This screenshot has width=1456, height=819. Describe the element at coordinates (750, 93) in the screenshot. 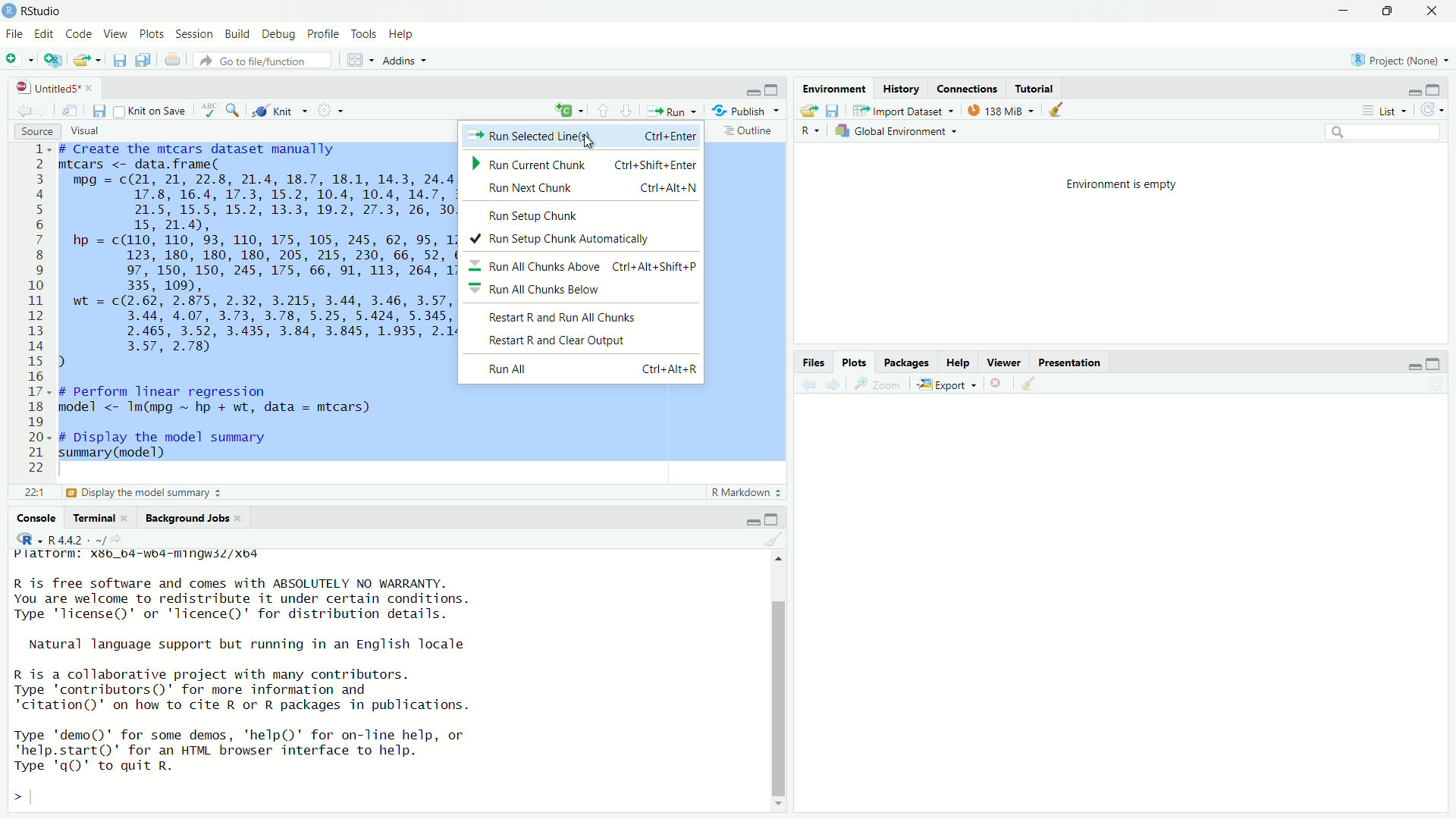

I see `minimize` at that location.